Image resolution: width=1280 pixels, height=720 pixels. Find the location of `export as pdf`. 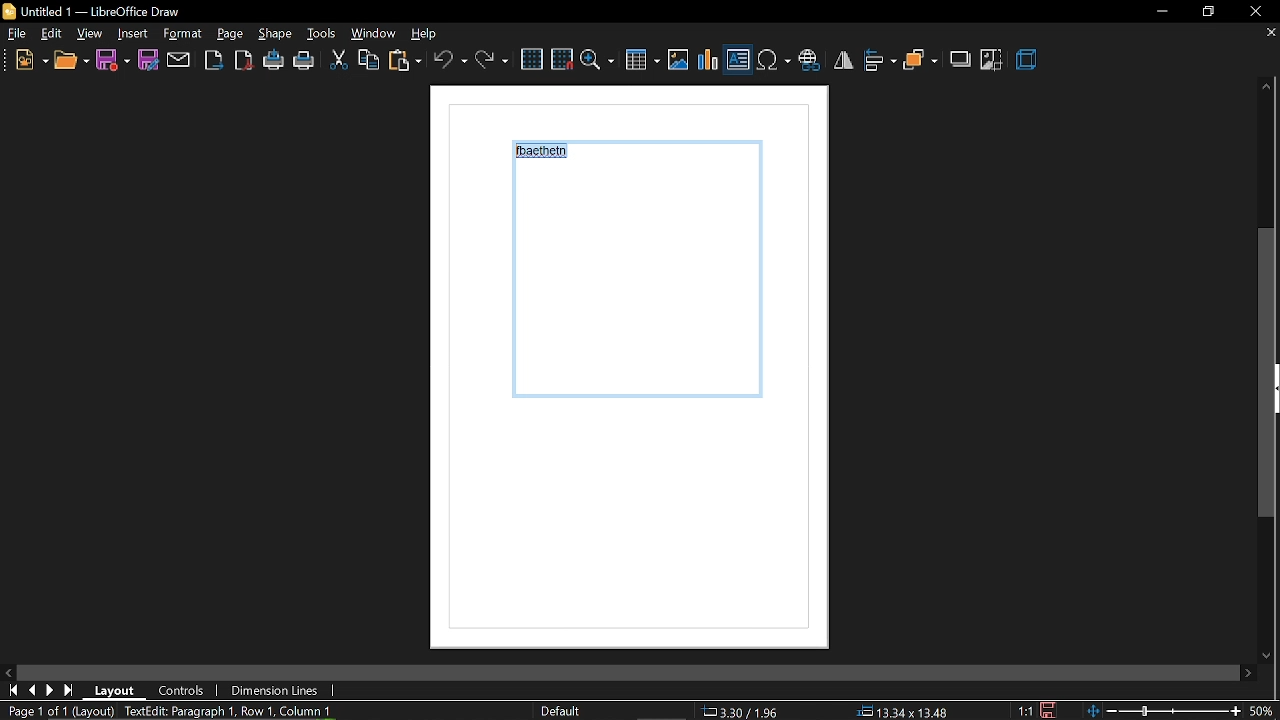

export as pdf is located at coordinates (243, 60).